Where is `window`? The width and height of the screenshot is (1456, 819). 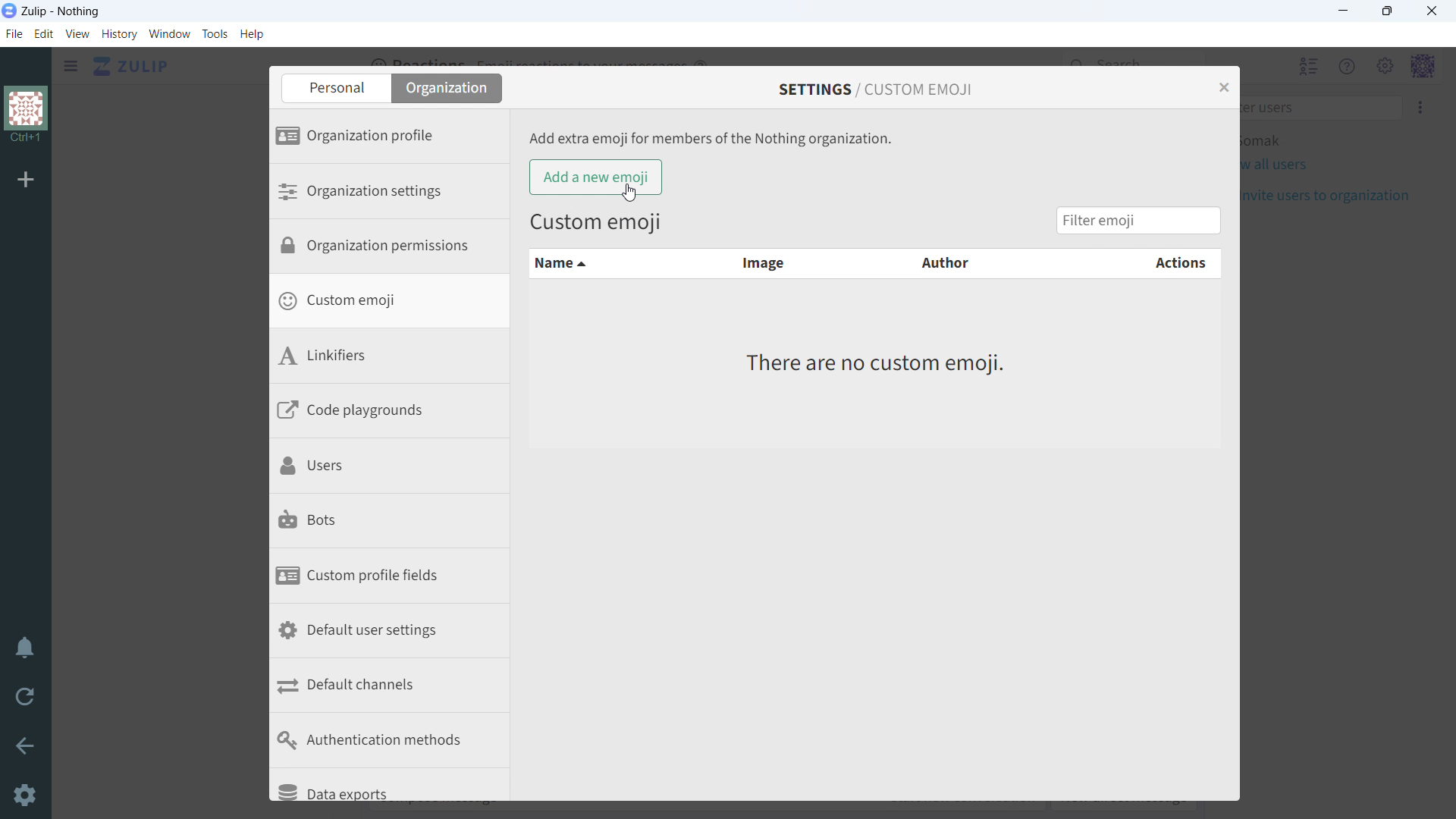 window is located at coordinates (170, 34).